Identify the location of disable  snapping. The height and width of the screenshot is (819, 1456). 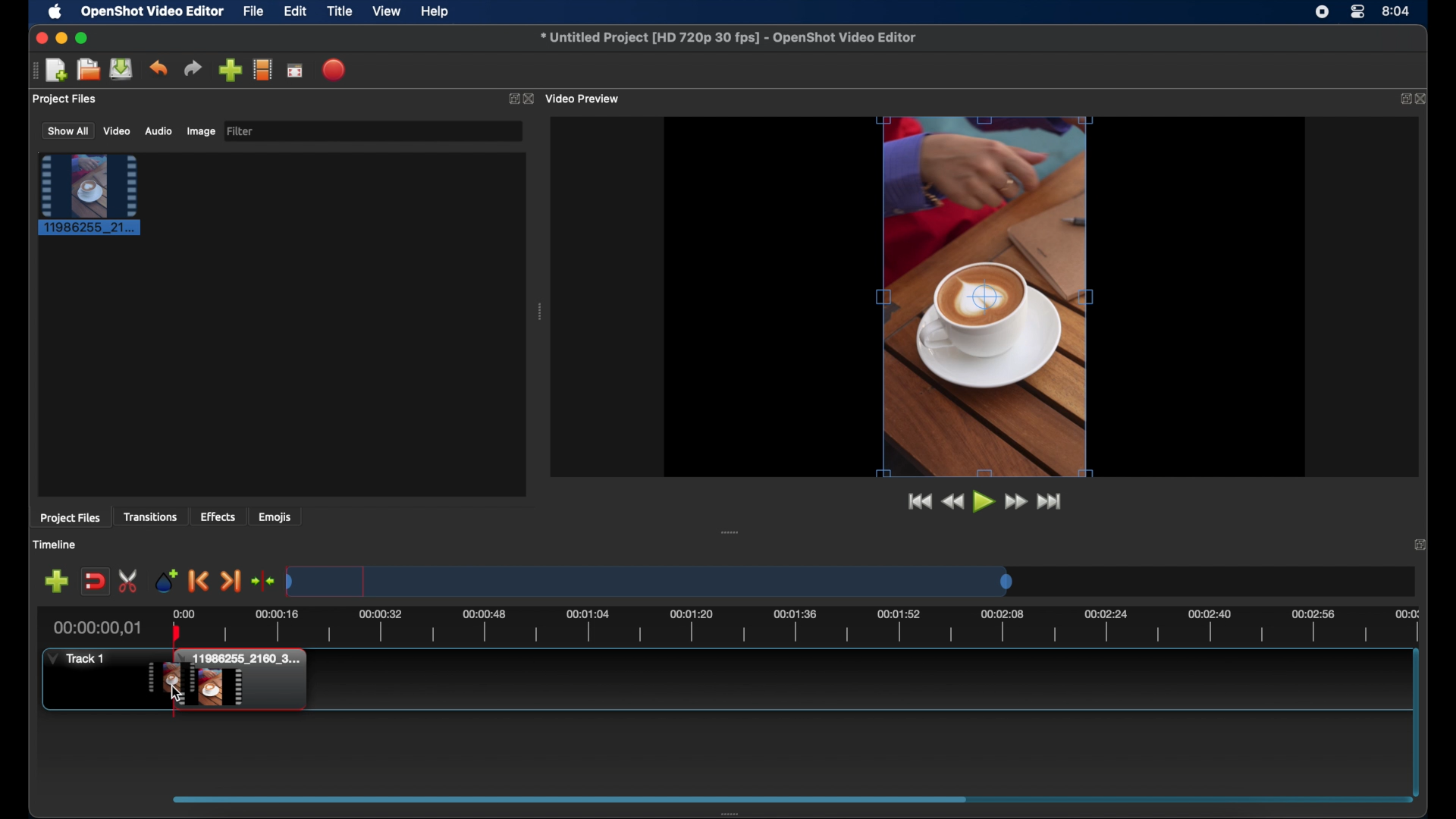
(94, 580).